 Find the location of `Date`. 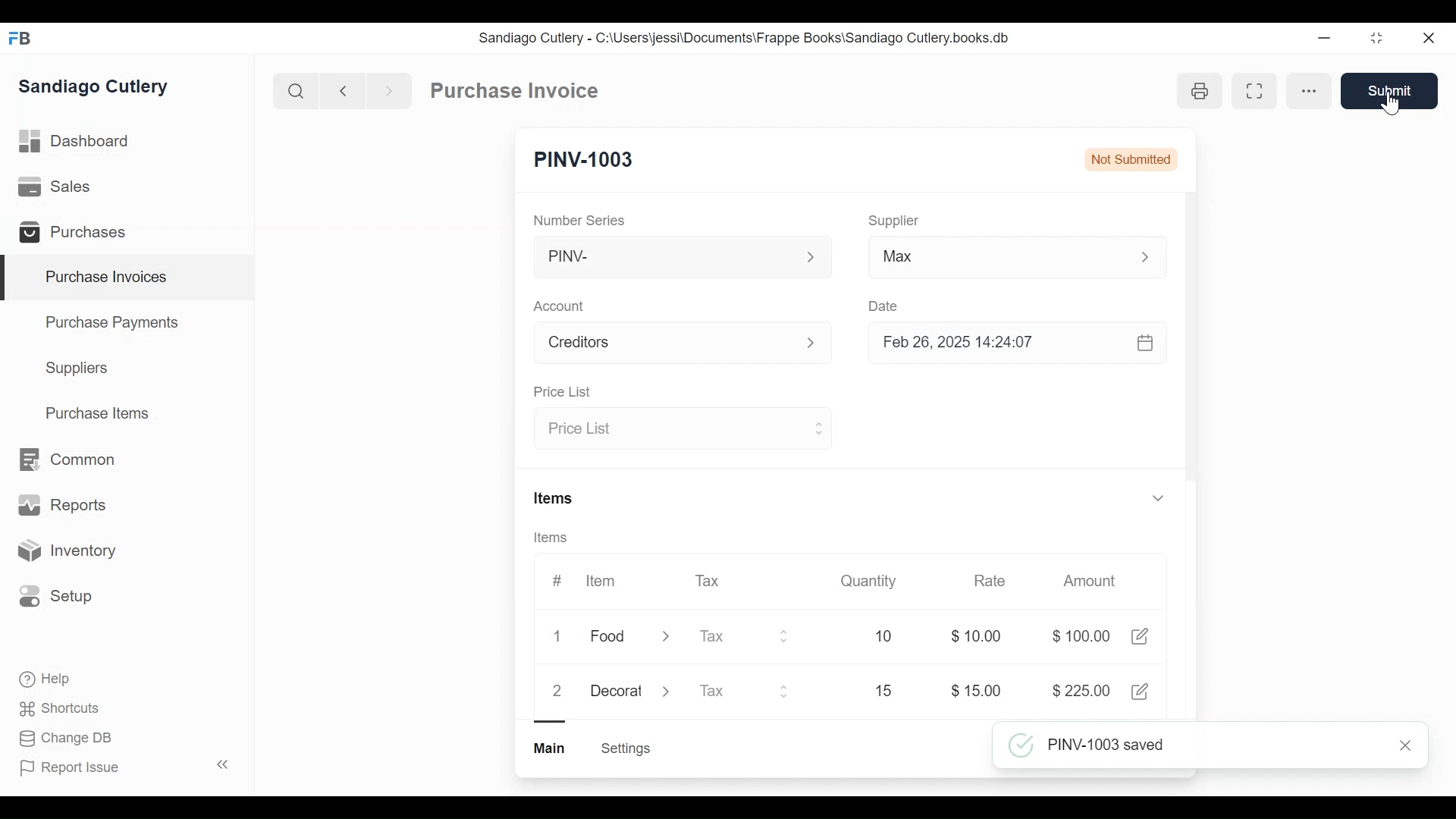

Date is located at coordinates (884, 306).